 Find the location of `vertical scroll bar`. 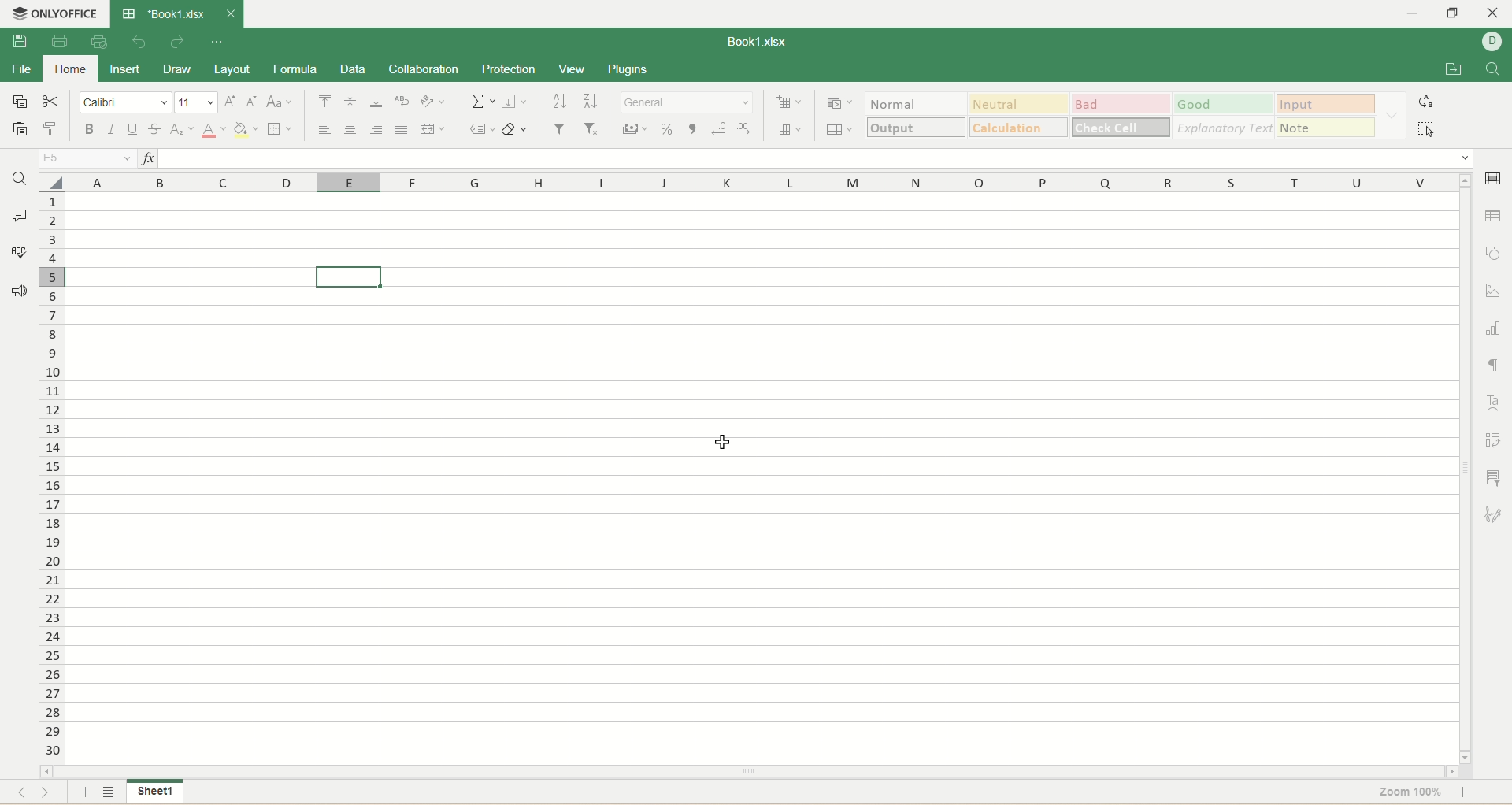

vertical scroll bar is located at coordinates (1468, 467).